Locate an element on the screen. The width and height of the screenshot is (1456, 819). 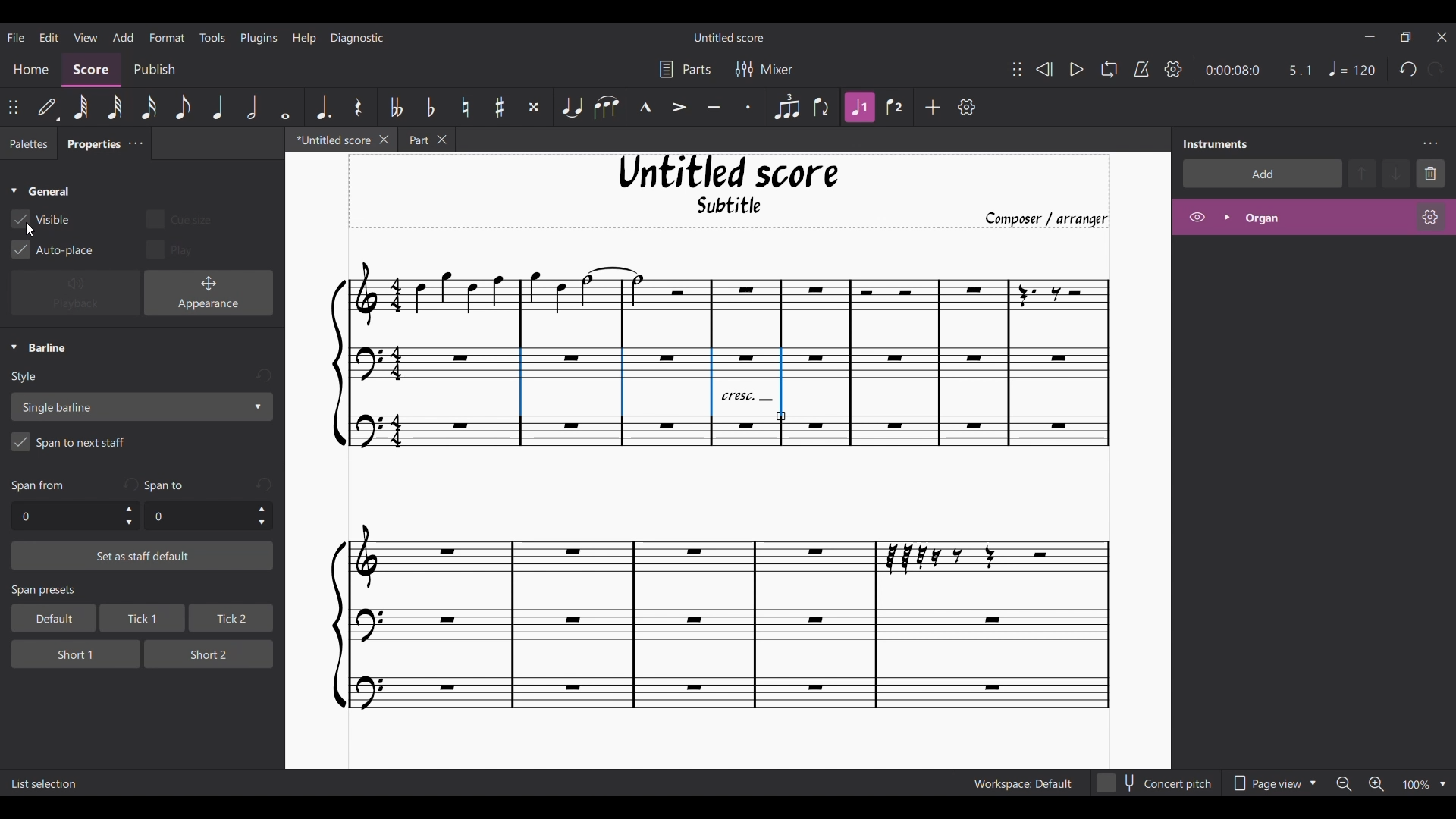
tick 1 is located at coordinates (140, 620).